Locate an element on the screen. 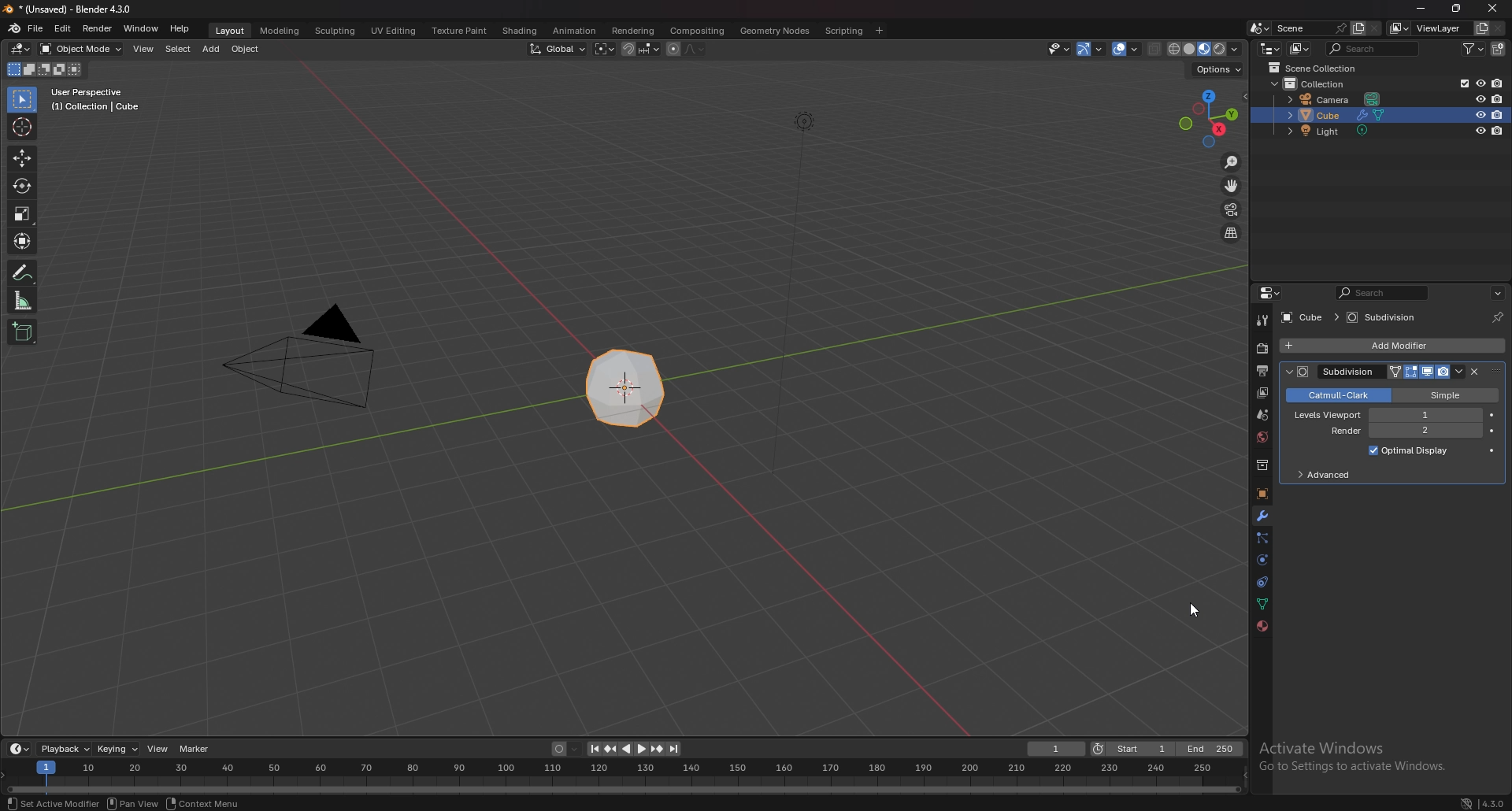 This screenshot has height=811, width=1512. blender is located at coordinates (14, 27).